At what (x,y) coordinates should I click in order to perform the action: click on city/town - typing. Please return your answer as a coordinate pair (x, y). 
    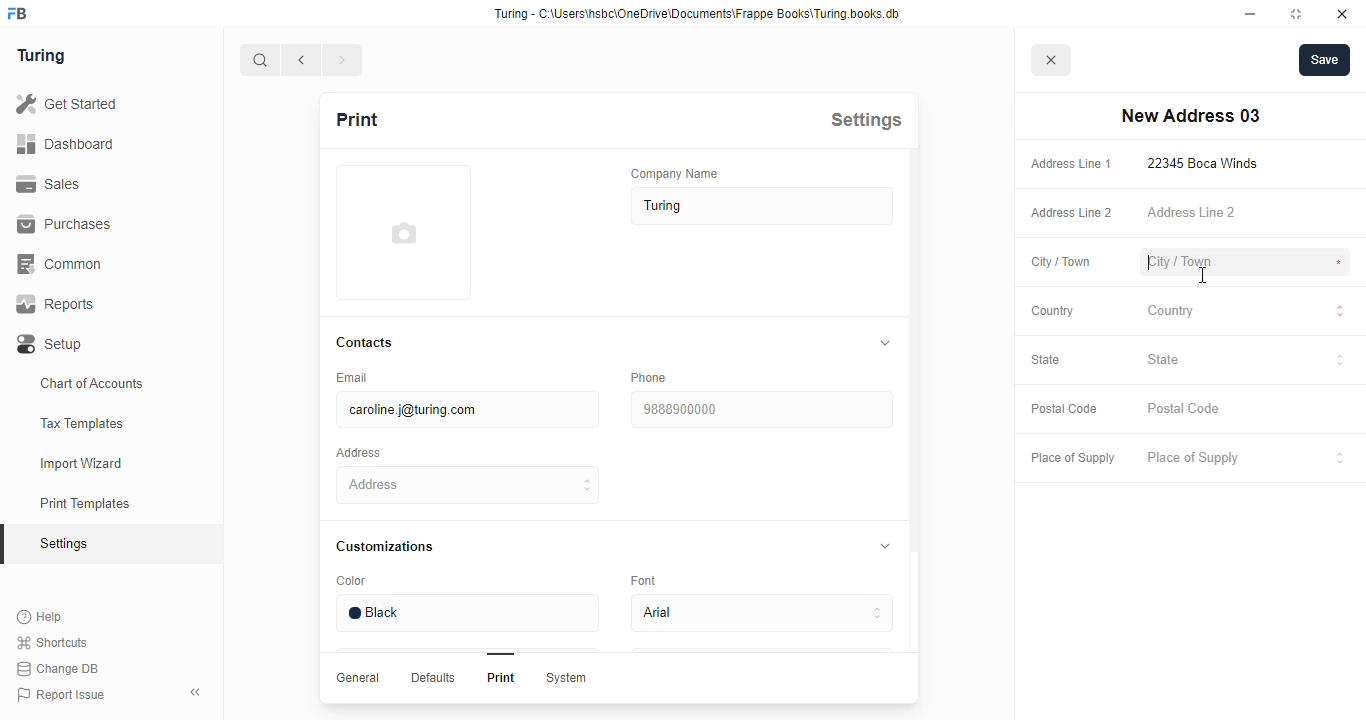
    Looking at the image, I should click on (1180, 263).